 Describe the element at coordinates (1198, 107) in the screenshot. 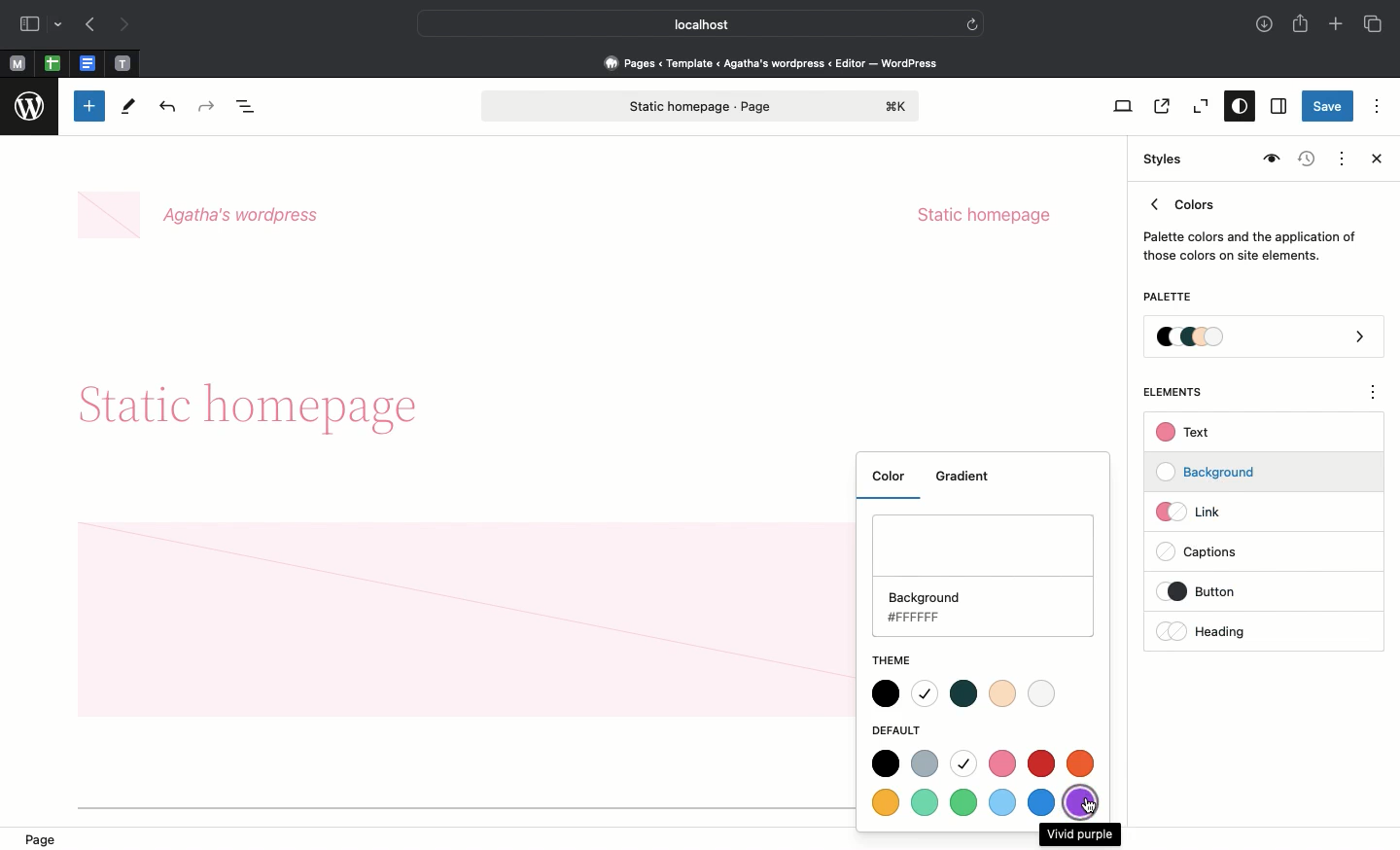

I see `Zoom out` at that location.